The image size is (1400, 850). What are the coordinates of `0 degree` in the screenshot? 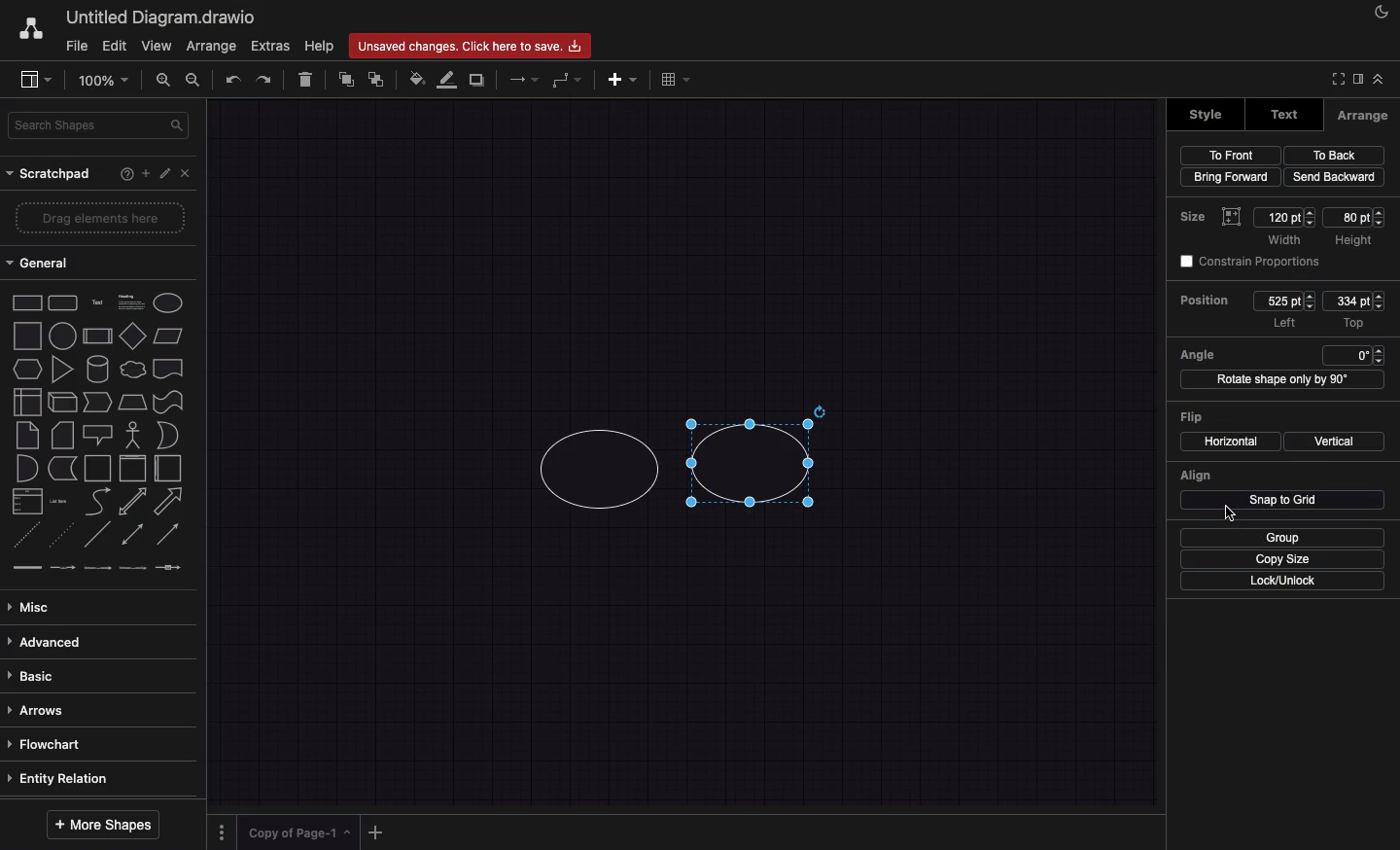 It's located at (1351, 354).